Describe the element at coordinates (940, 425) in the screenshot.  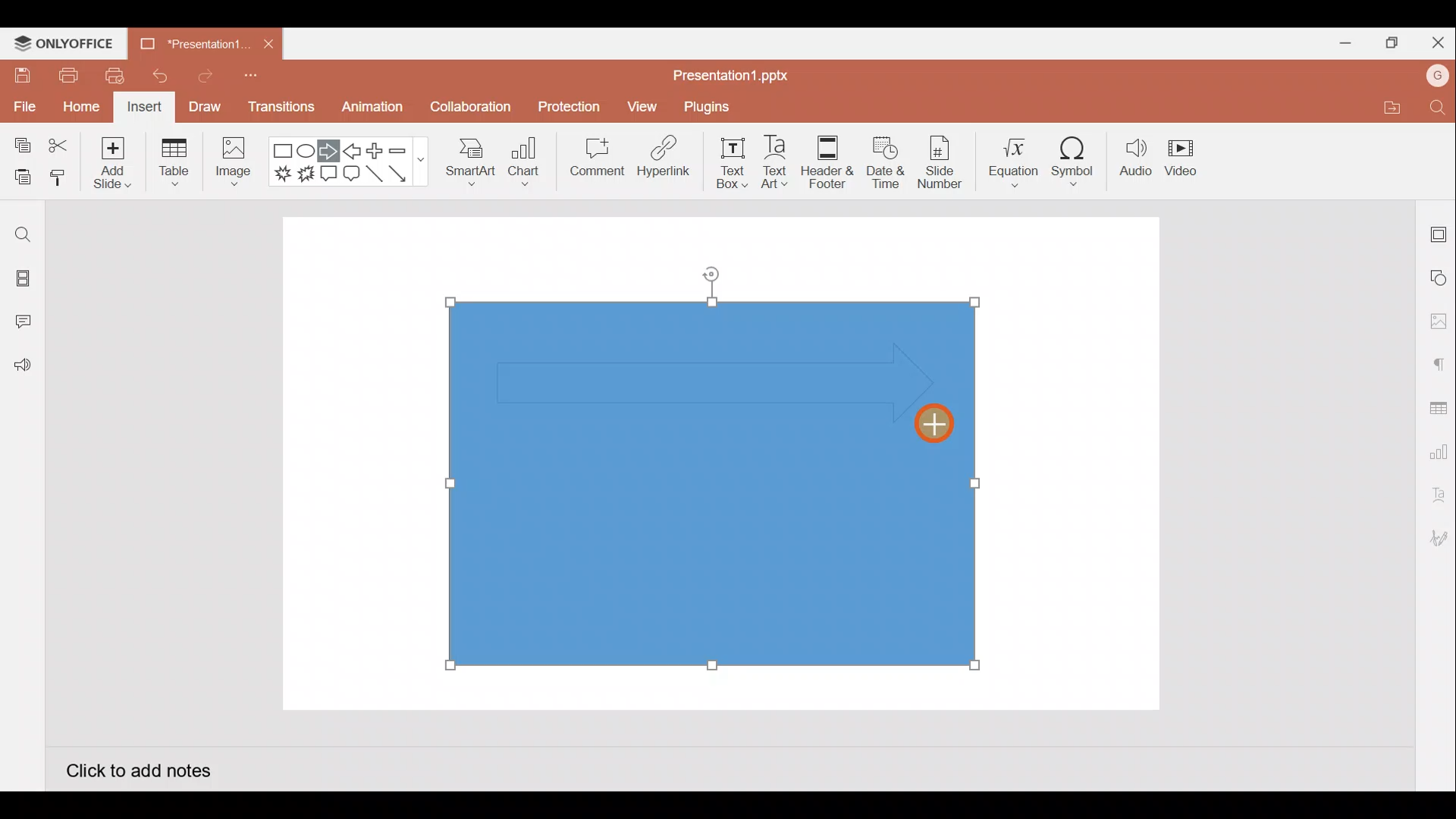
I see `Cursor on arrow shape` at that location.